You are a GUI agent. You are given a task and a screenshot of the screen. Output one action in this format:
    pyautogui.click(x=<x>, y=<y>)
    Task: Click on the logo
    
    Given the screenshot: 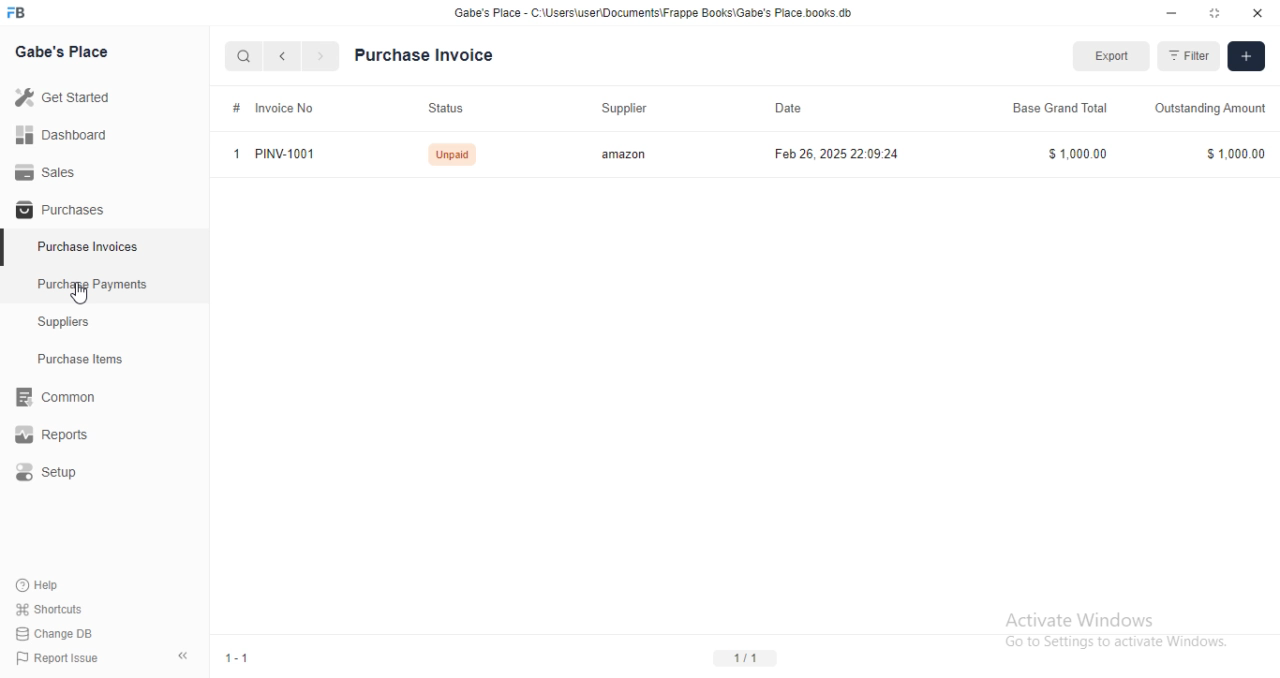 What is the action you would take?
    pyautogui.click(x=22, y=13)
    